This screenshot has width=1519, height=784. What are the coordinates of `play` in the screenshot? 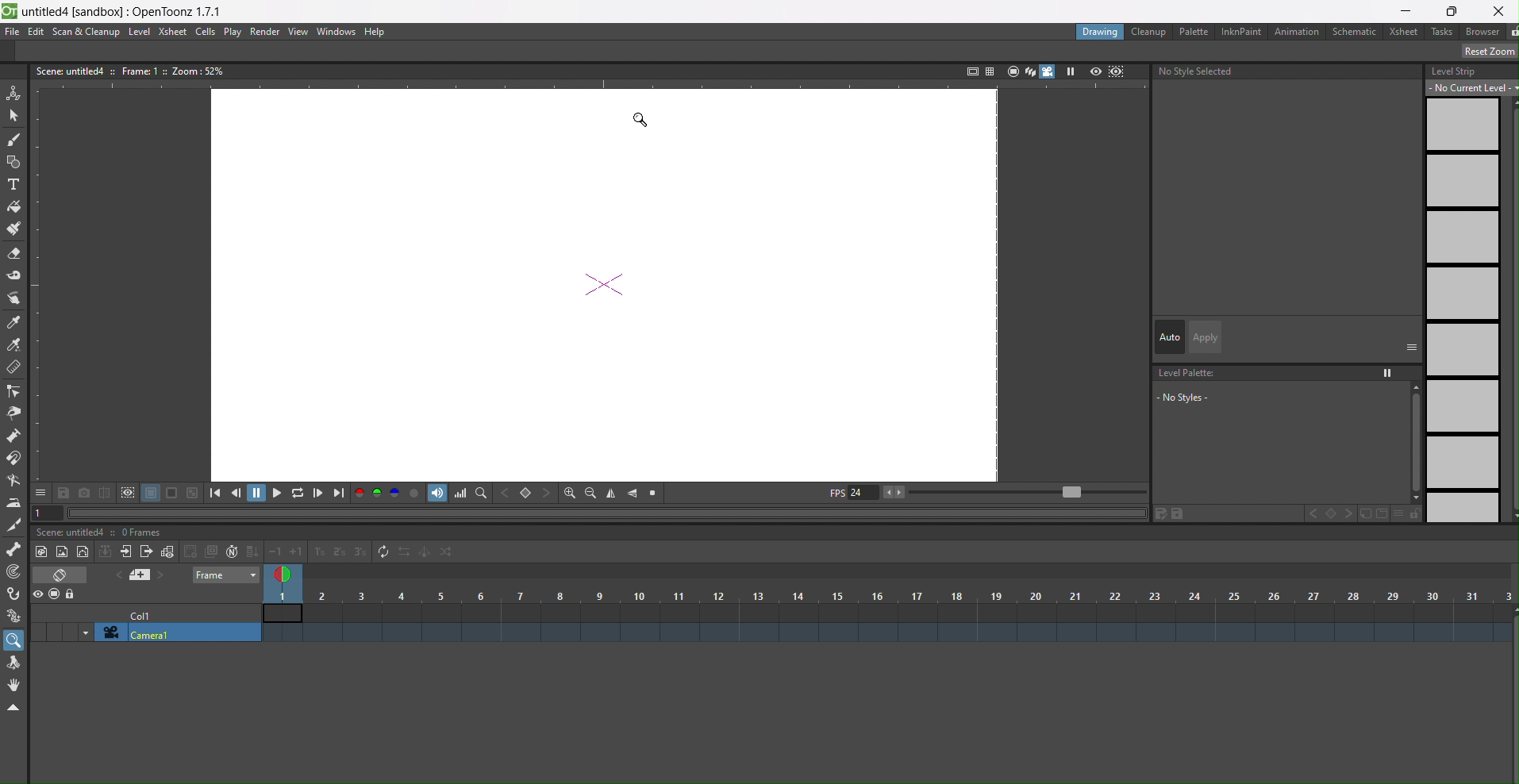 It's located at (1073, 71).